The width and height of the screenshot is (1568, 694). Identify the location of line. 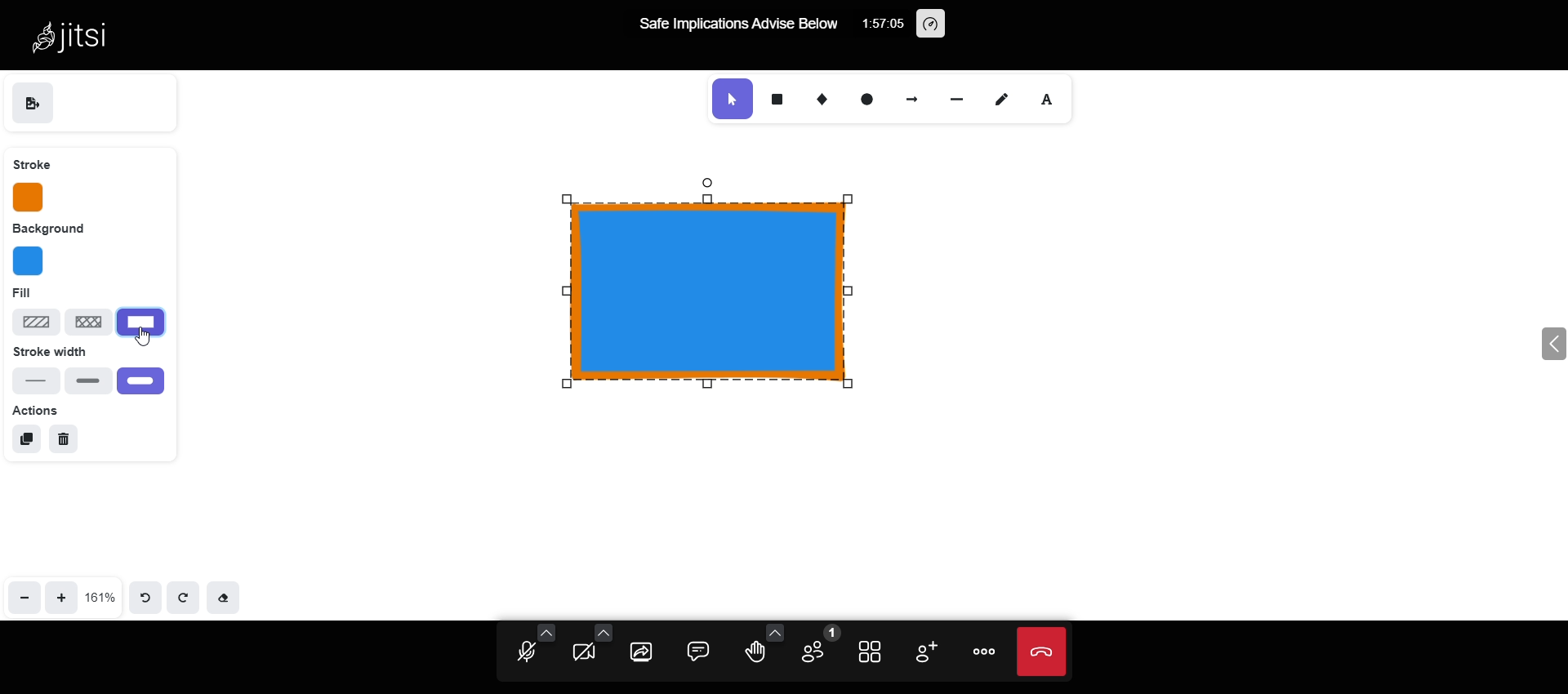
(955, 98).